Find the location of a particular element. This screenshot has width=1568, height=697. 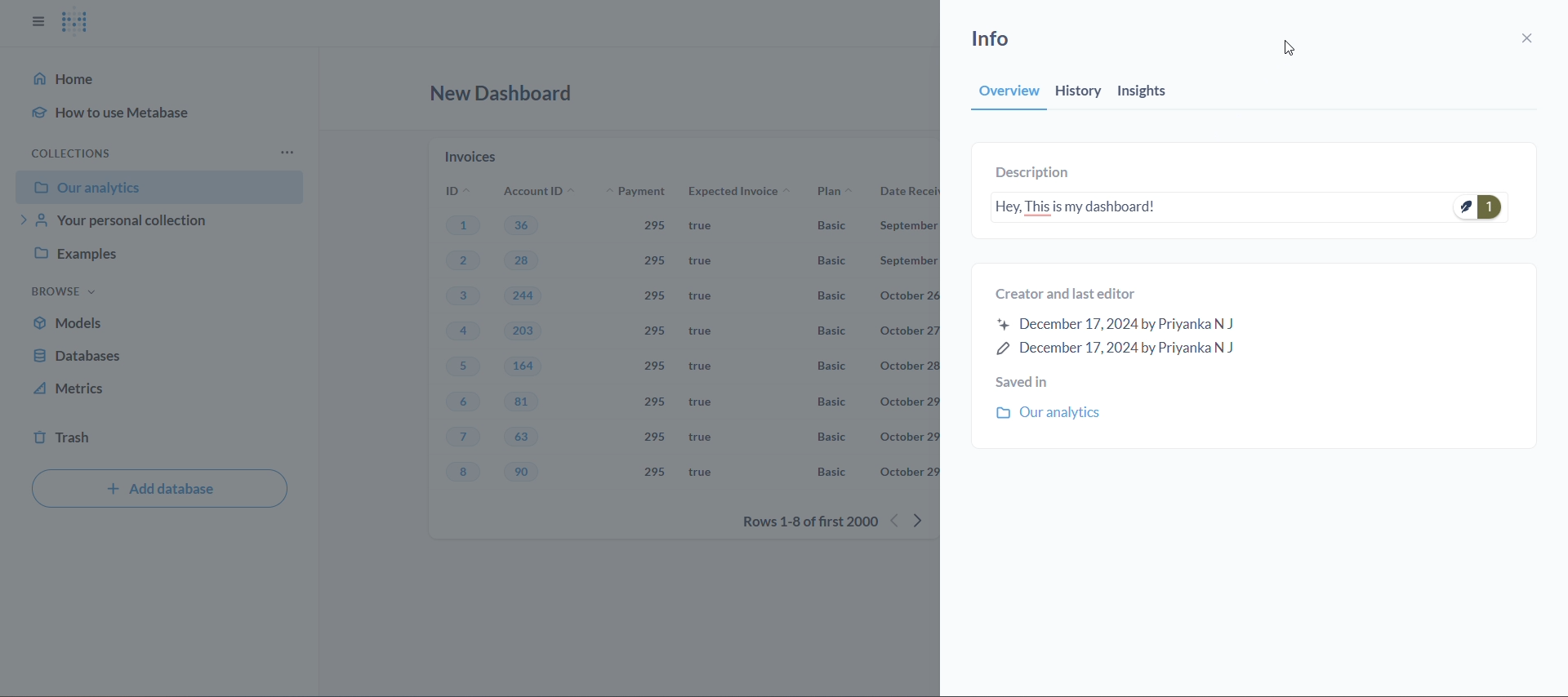

2 is located at coordinates (465, 260).